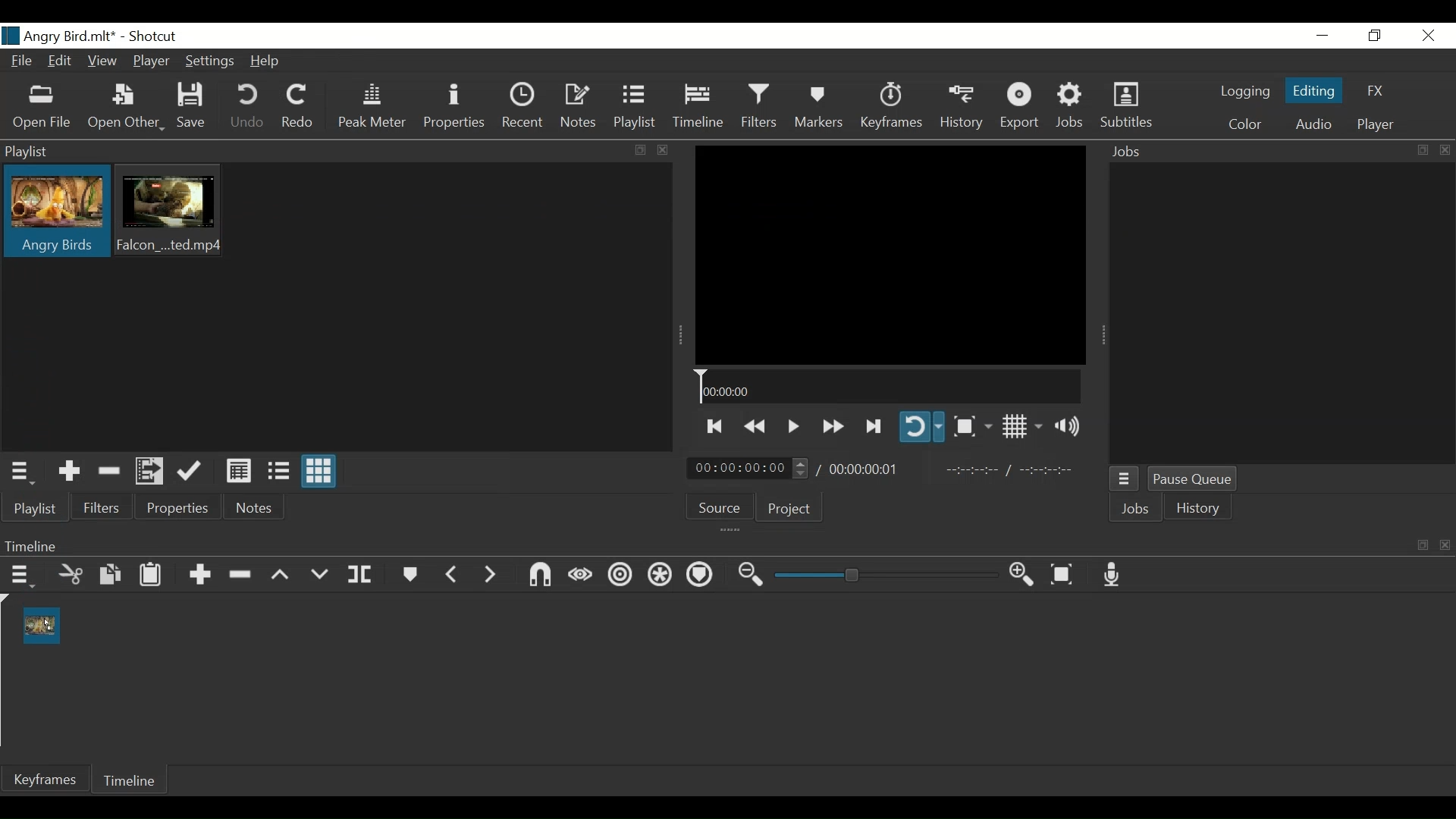 The image size is (1456, 819). What do you see at coordinates (699, 576) in the screenshot?
I see `Ripple markers` at bounding box center [699, 576].